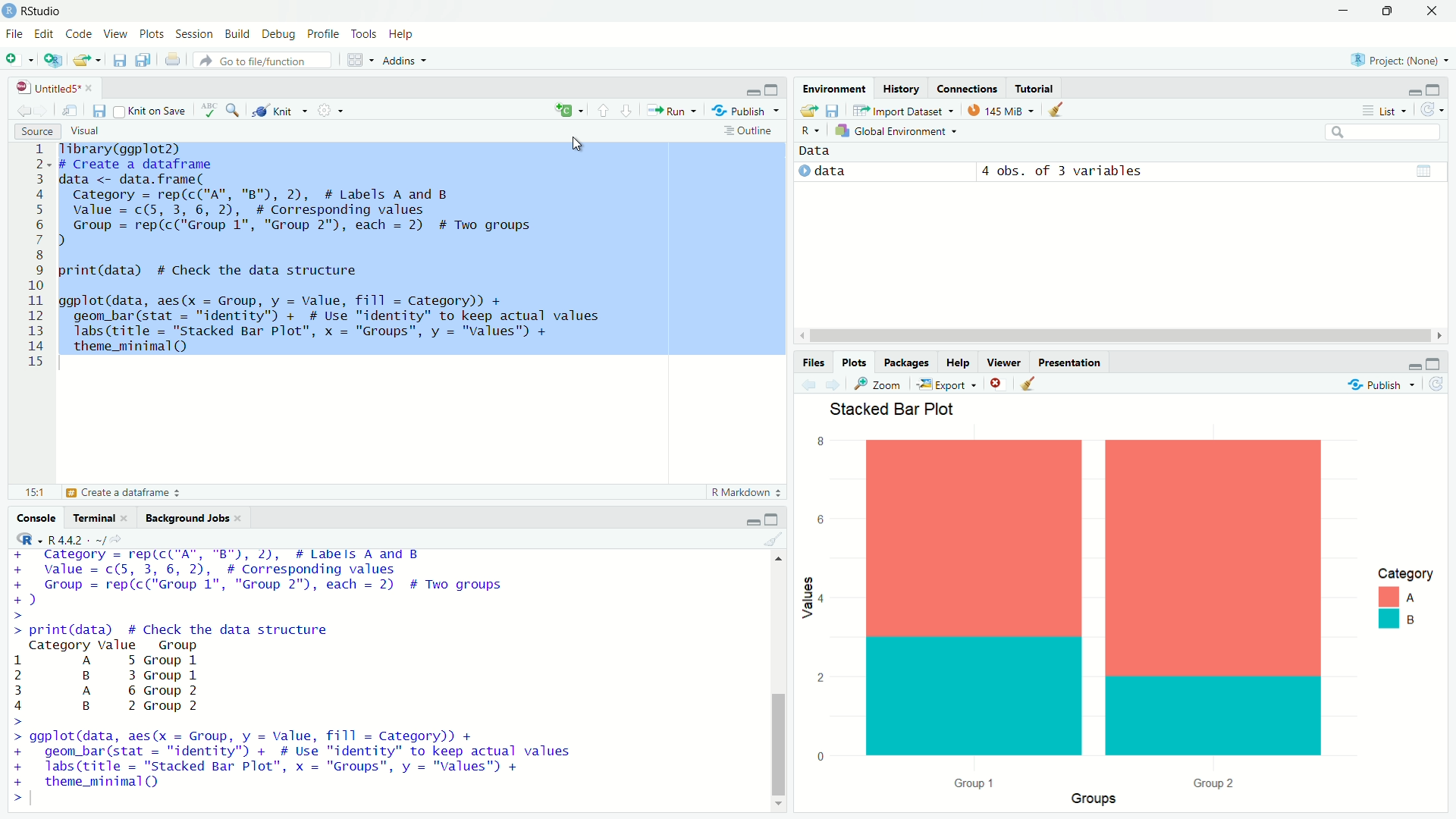 This screenshot has width=1456, height=819. What do you see at coordinates (1003, 362) in the screenshot?
I see `Viewer` at bounding box center [1003, 362].